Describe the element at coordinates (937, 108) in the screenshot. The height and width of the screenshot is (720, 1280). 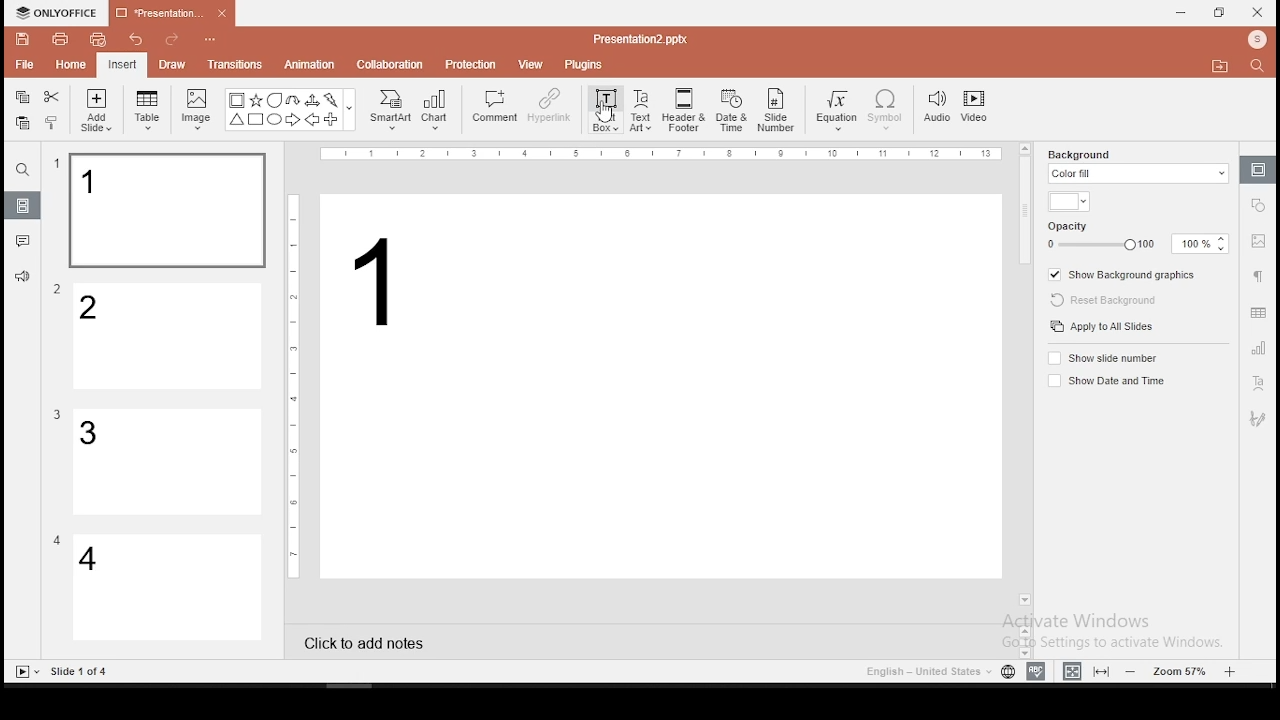
I see `audio` at that location.